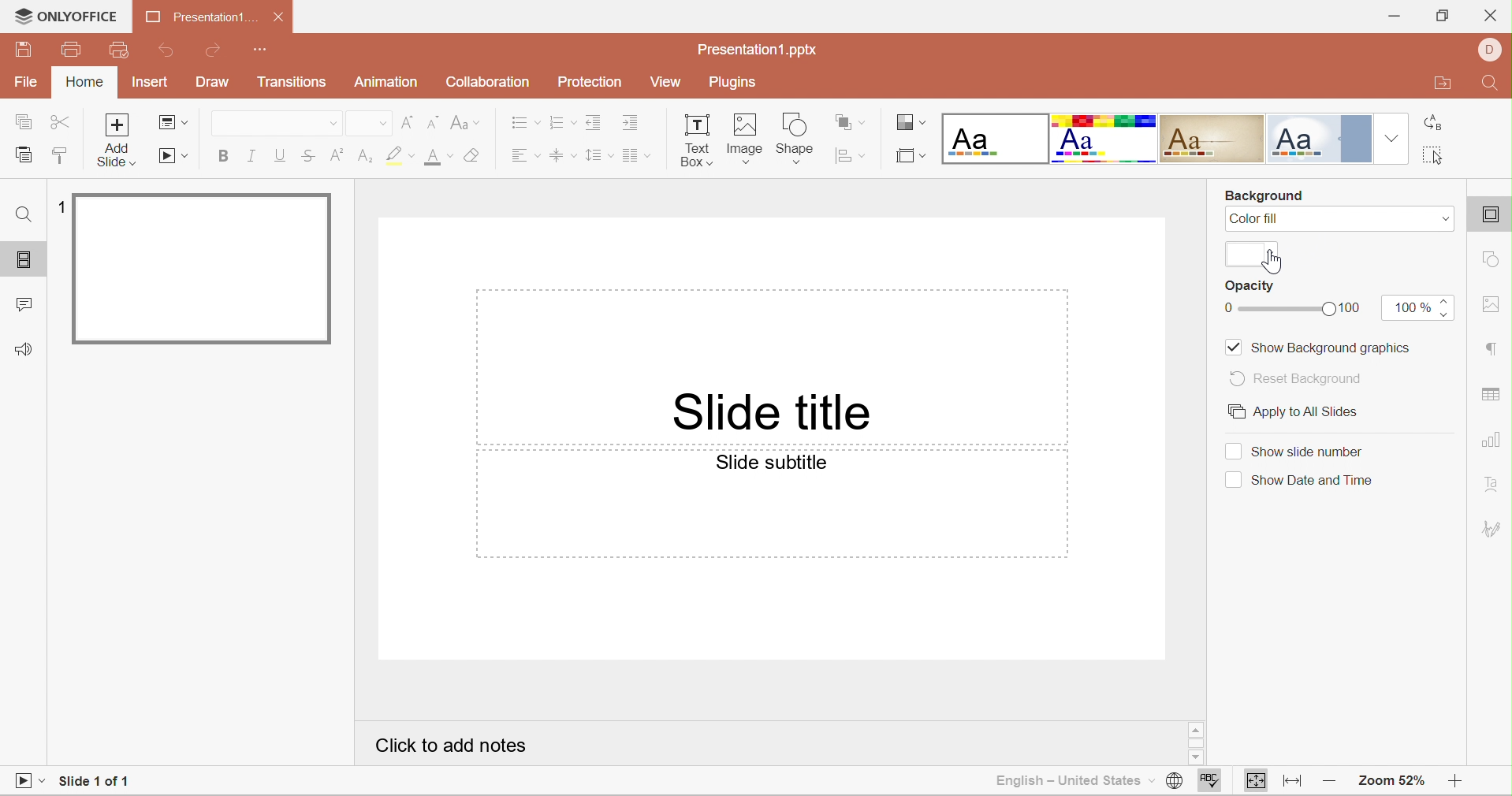 The height and width of the screenshot is (796, 1512). What do you see at coordinates (1442, 17) in the screenshot?
I see `Restore Down` at bounding box center [1442, 17].